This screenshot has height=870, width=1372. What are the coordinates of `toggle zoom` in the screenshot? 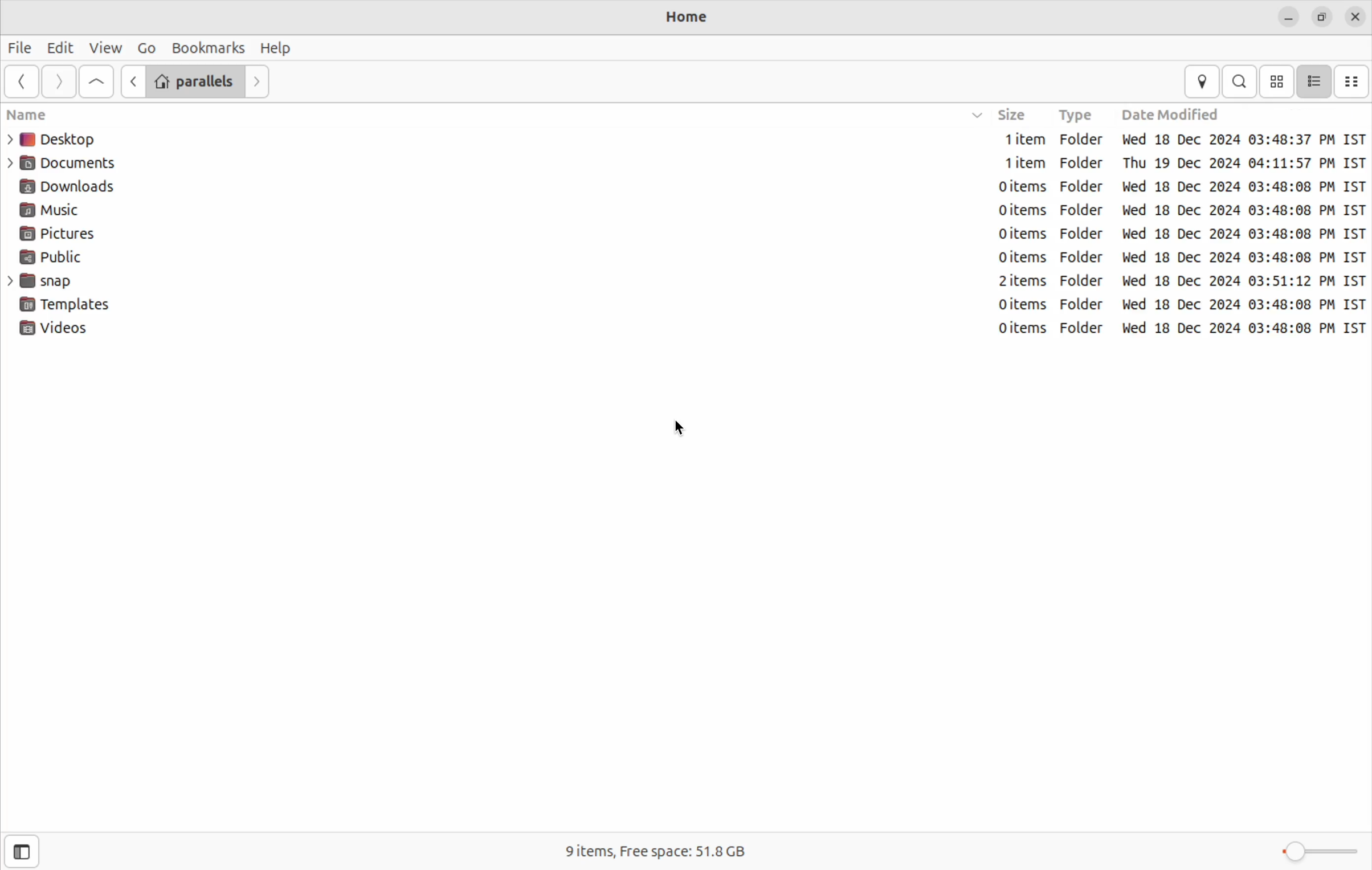 It's located at (1319, 851).